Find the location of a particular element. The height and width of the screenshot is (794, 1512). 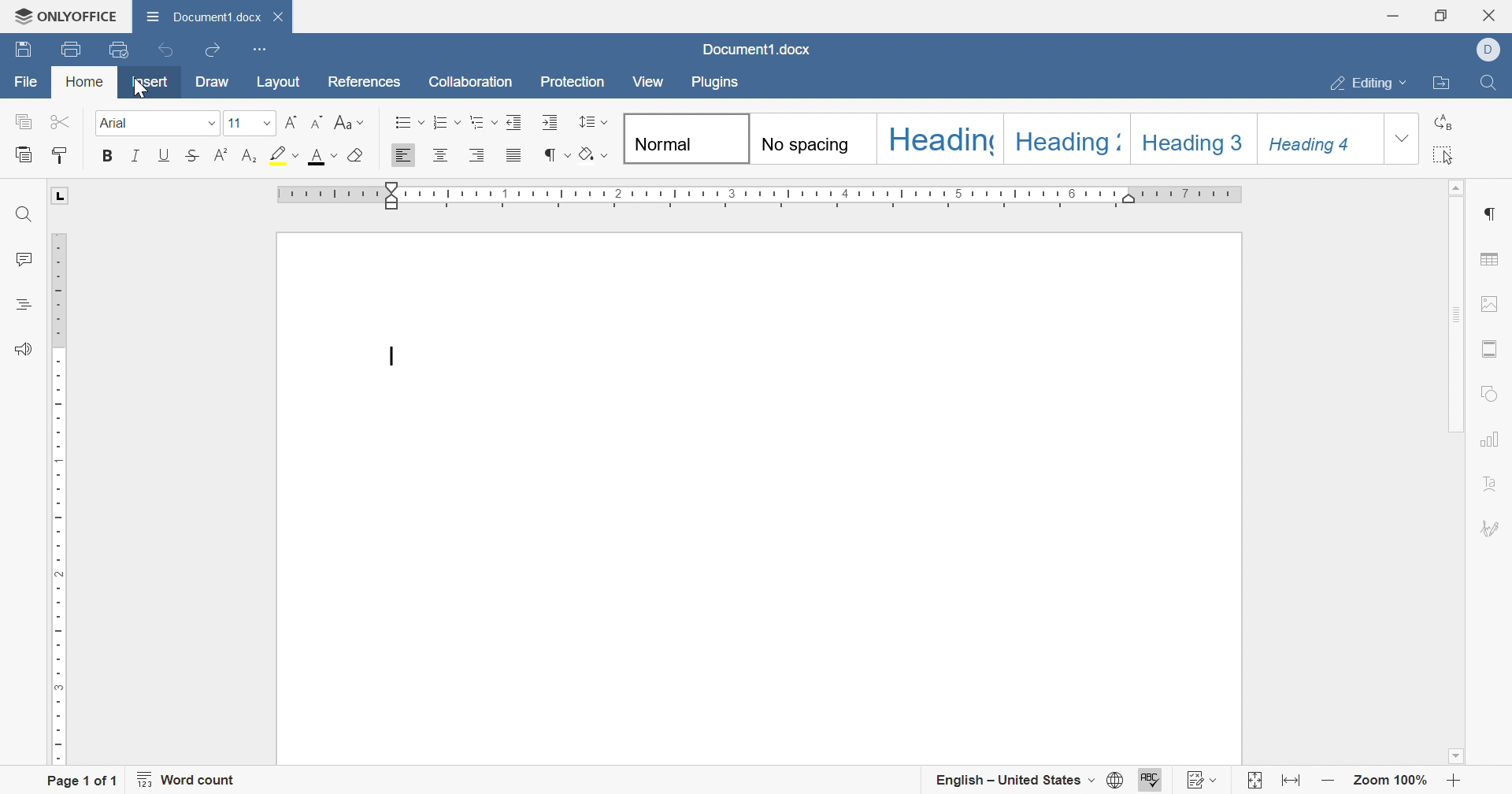

Bold is located at coordinates (106, 154).